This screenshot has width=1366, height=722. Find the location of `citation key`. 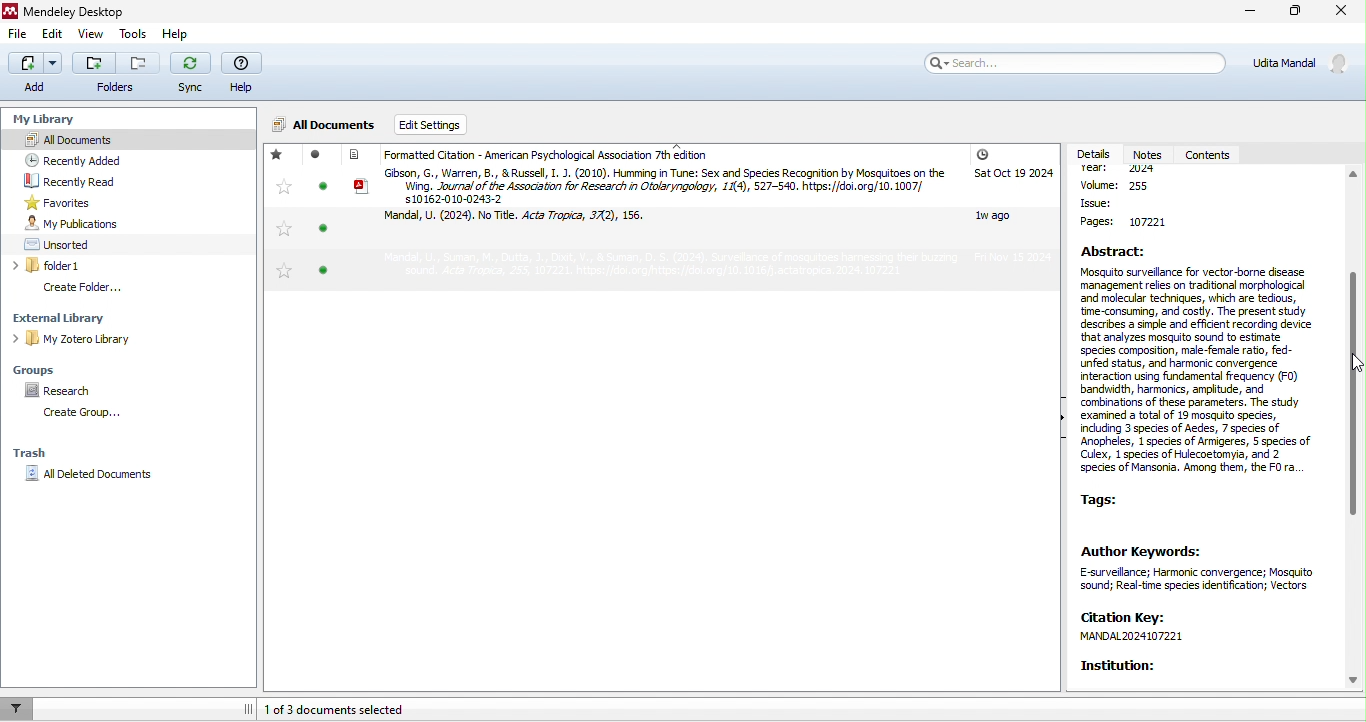

citation key is located at coordinates (1153, 628).